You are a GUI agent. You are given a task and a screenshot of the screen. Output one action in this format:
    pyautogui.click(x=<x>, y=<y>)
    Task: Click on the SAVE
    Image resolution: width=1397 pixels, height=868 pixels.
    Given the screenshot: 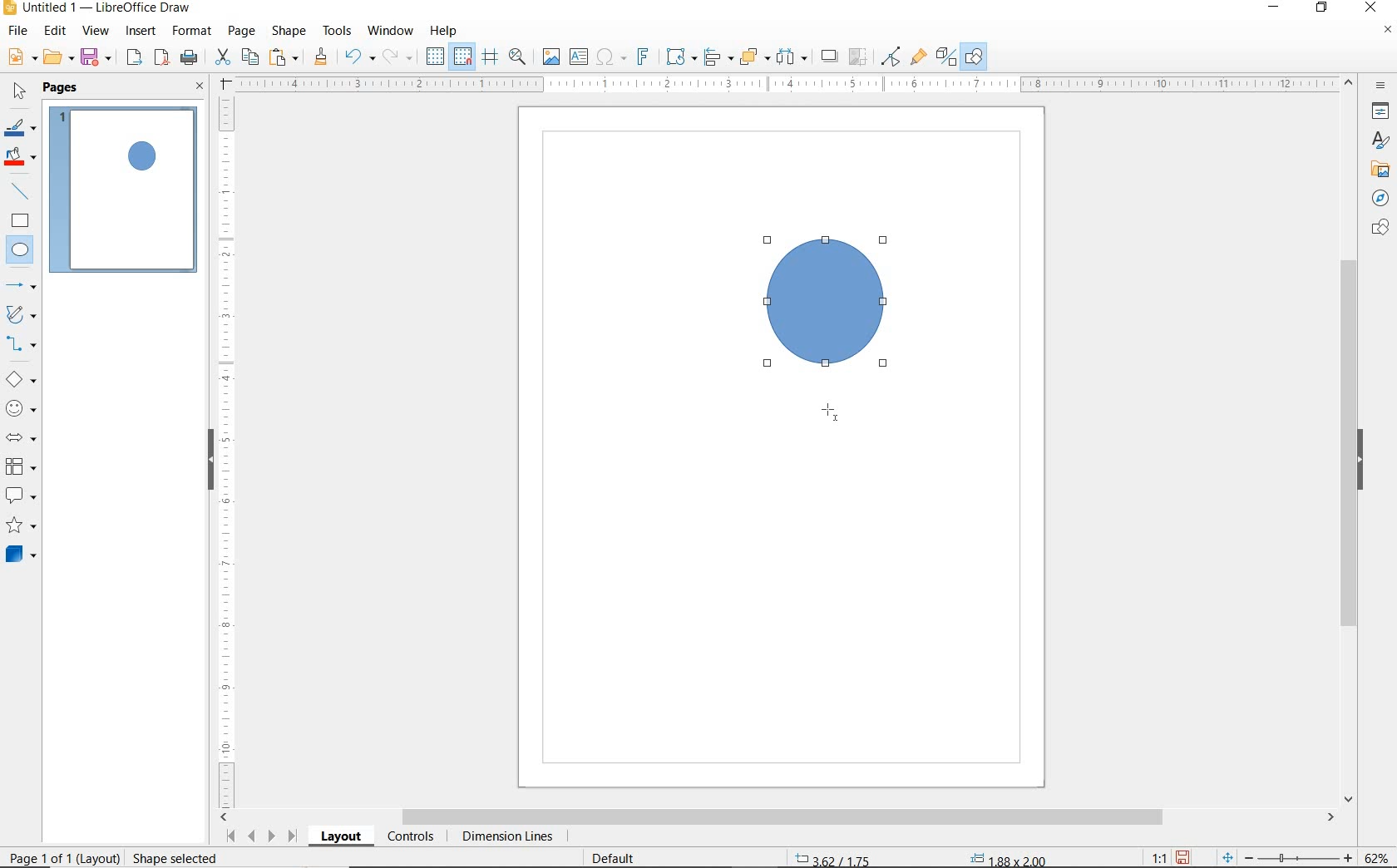 What is the action you would take?
    pyautogui.click(x=1185, y=856)
    